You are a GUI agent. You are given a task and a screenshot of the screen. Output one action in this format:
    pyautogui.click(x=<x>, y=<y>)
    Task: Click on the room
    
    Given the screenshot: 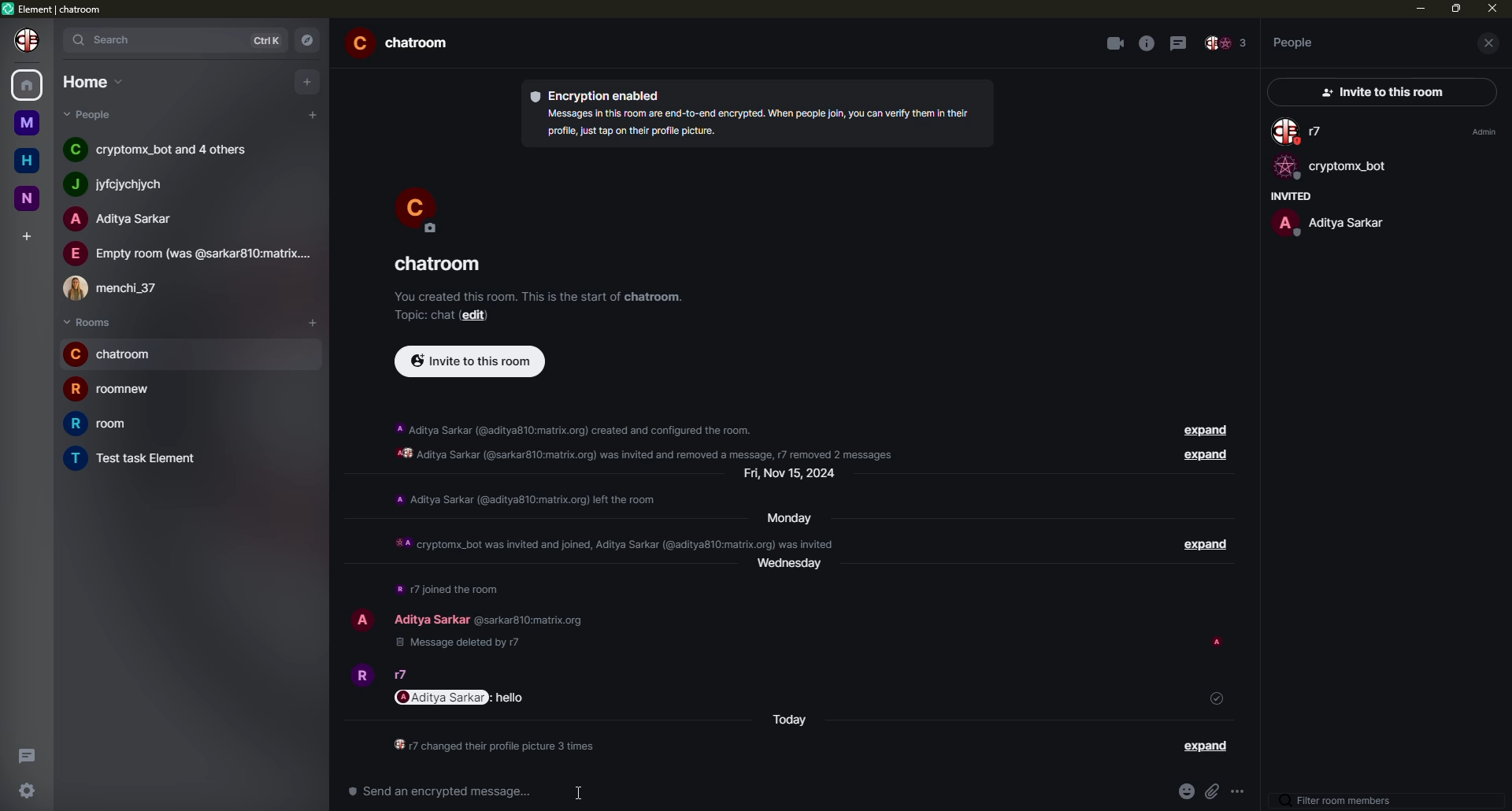 What is the action you would take?
    pyautogui.click(x=137, y=459)
    